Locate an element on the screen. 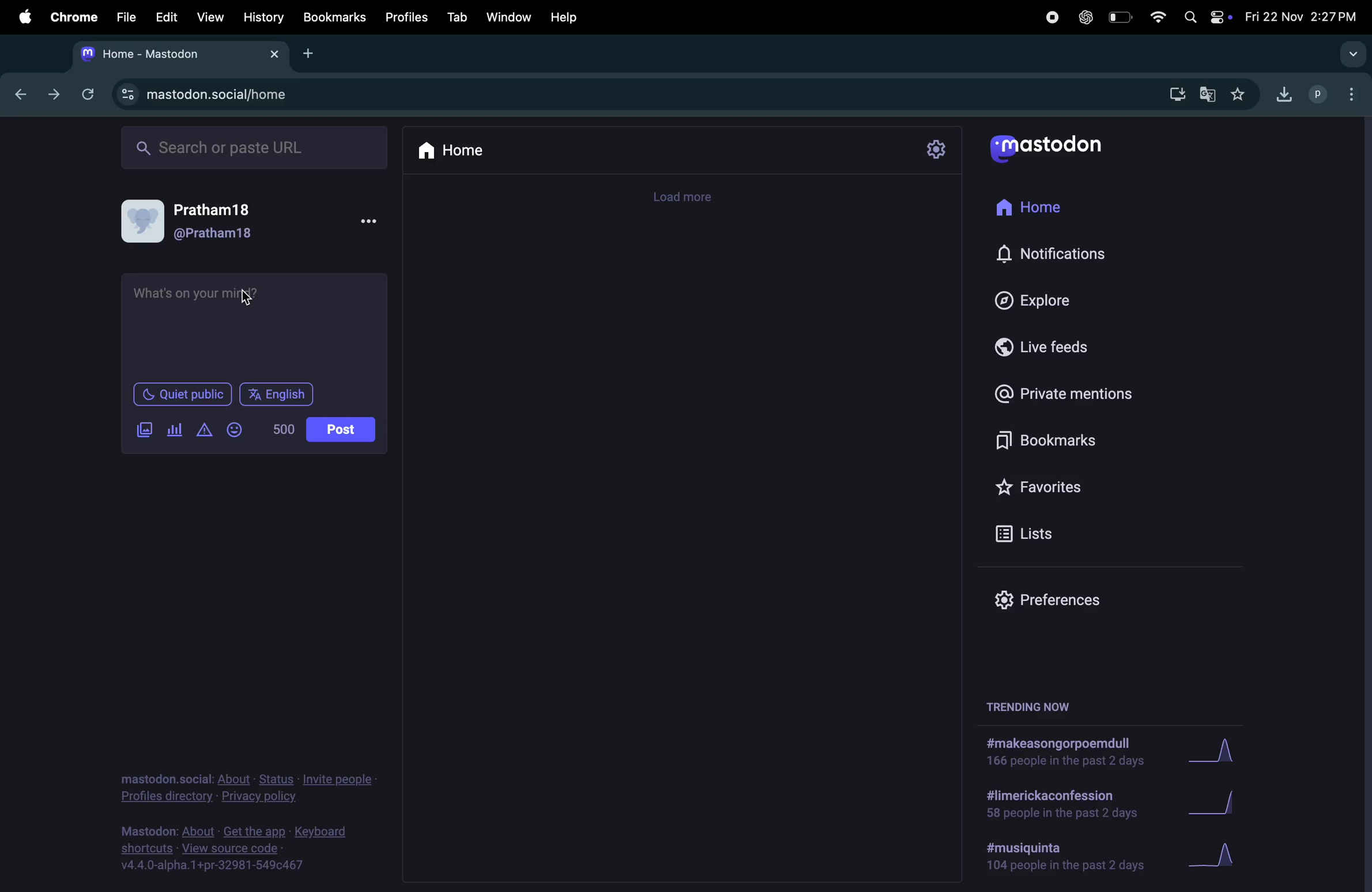 Image resolution: width=1372 pixels, height=892 pixels. forward is located at coordinates (52, 95).